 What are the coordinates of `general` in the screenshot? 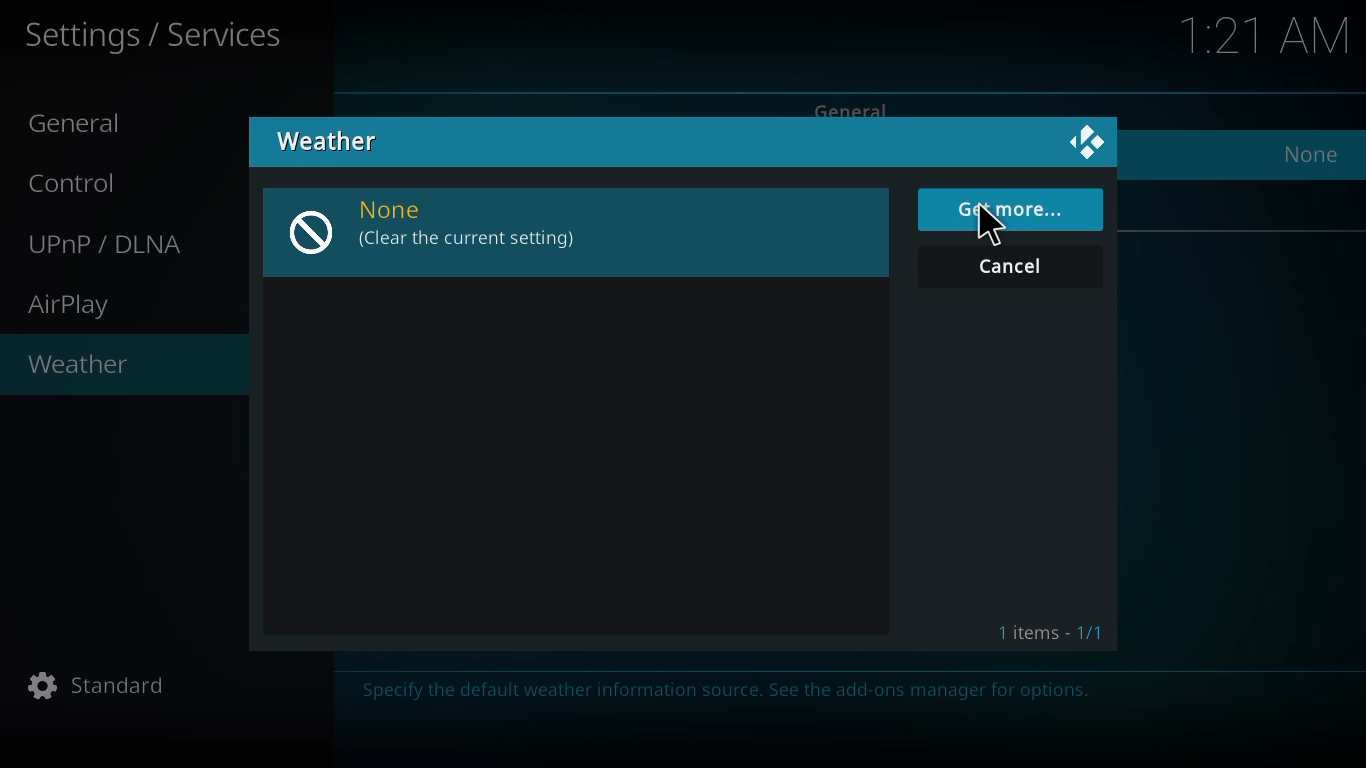 It's located at (855, 107).